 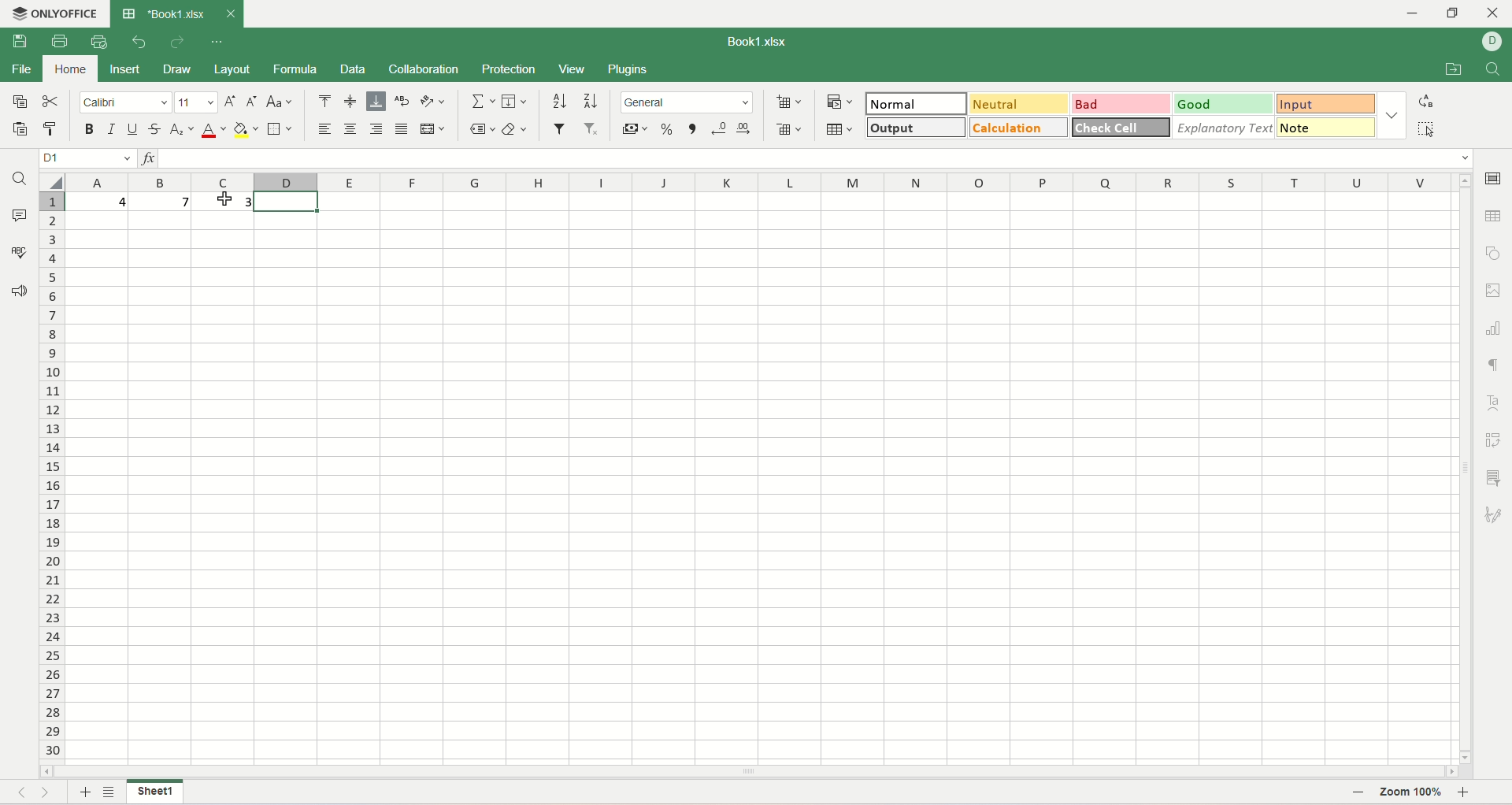 What do you see at coordinates (1119, 128) in the screenshot?
I see `check cell` at bounding box center [1119, 128].